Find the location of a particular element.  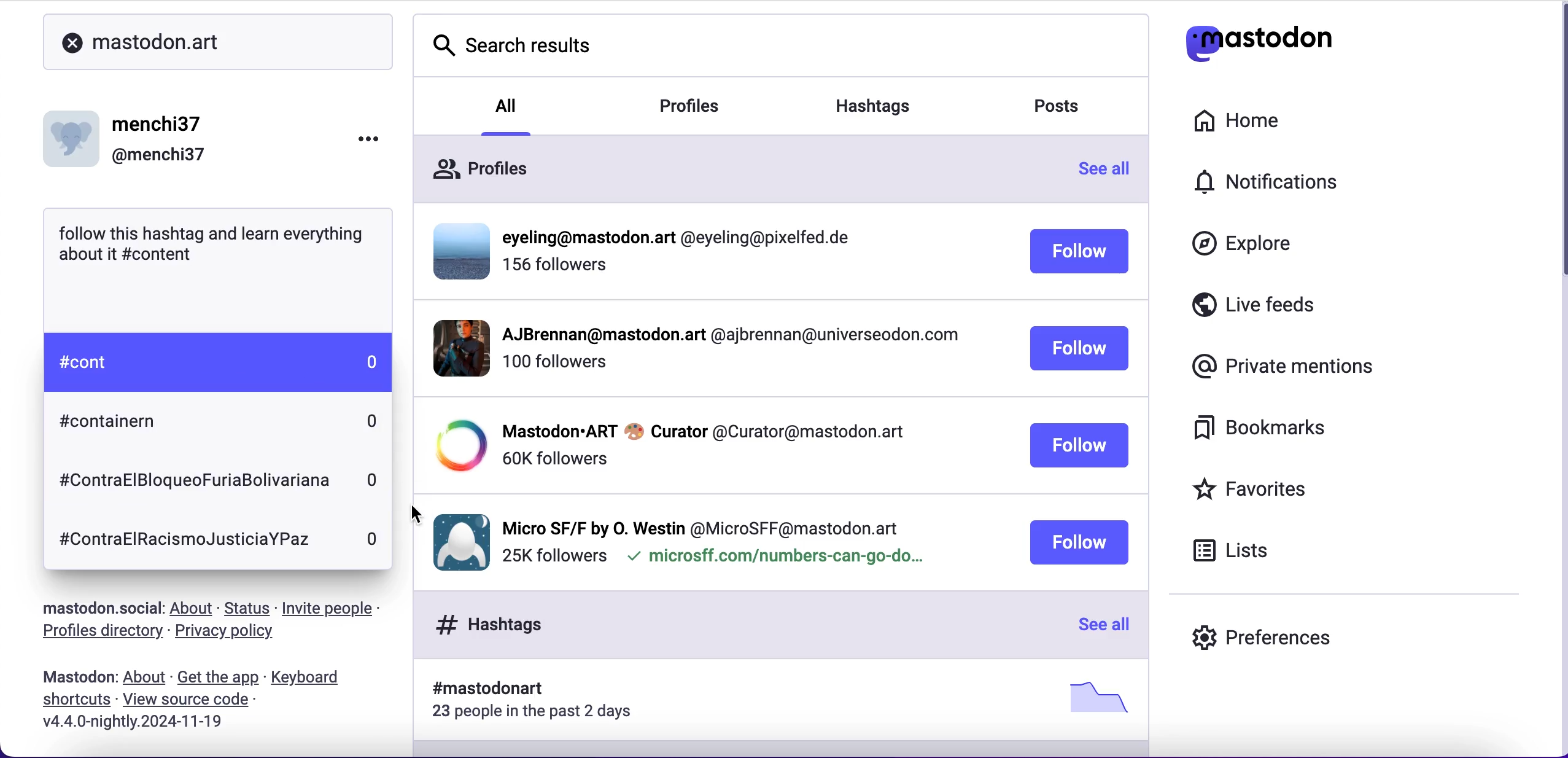

cursor is located at coordinates (419, 515).